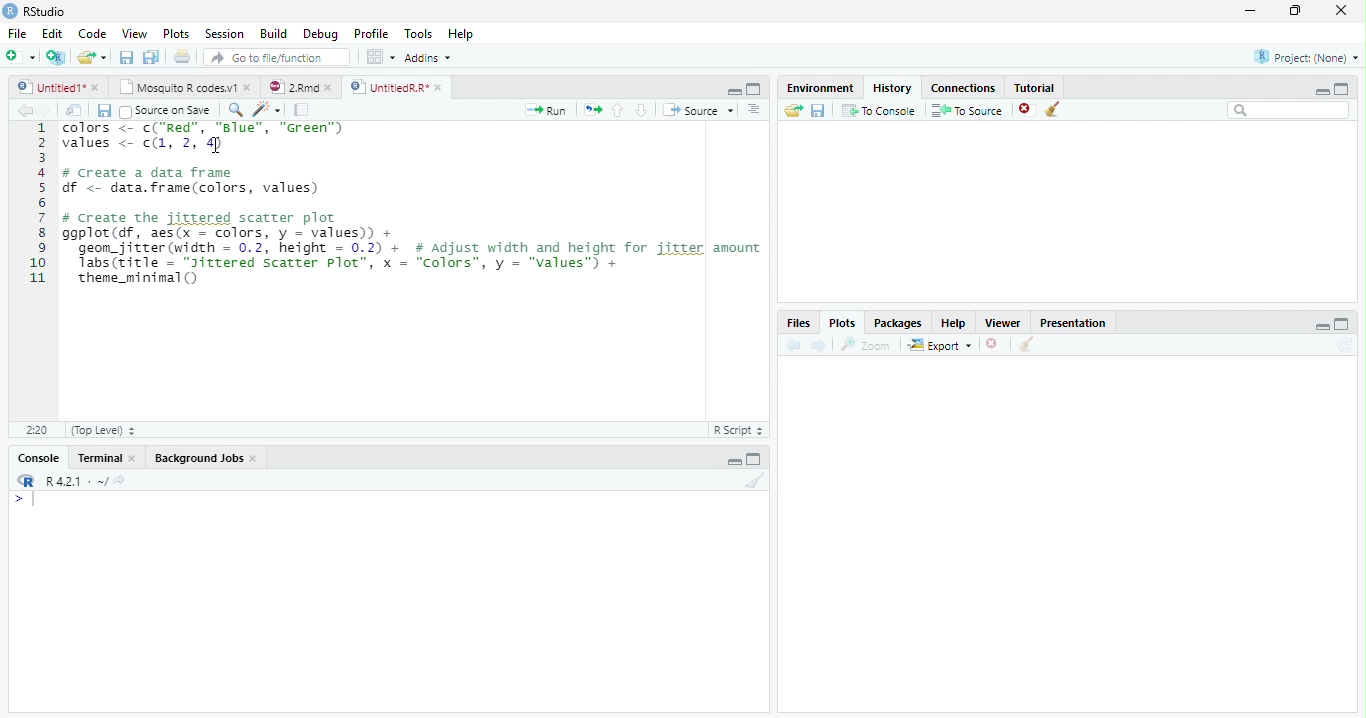  What do you see at coordinates (438, 88) in the screenshot?
I see `close` at bounding box center [438, 88].